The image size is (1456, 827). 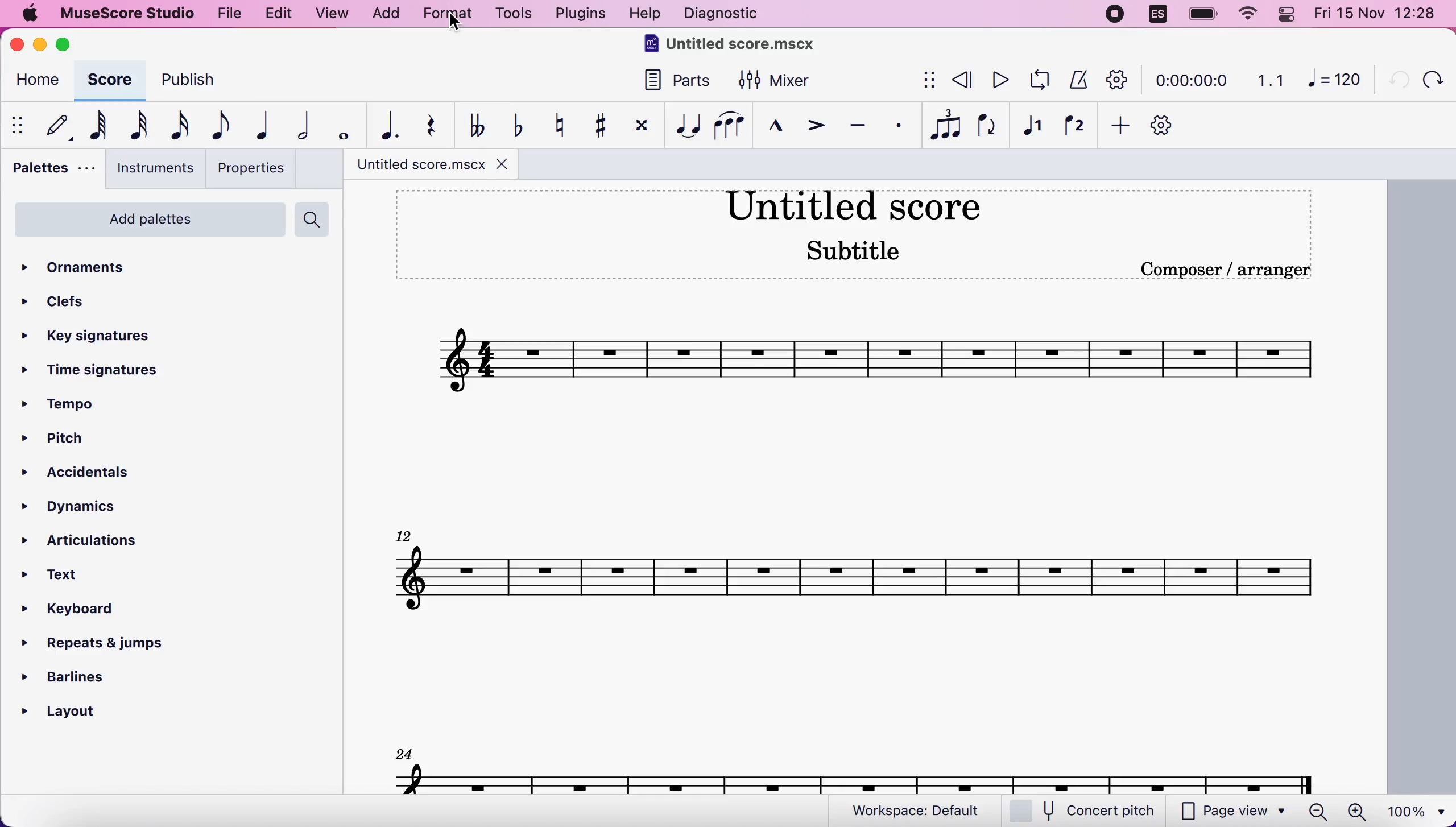 What do you see at coordinates (1116, 126) in the screenshot?
I see `add` at bounding box center [1116, 126].